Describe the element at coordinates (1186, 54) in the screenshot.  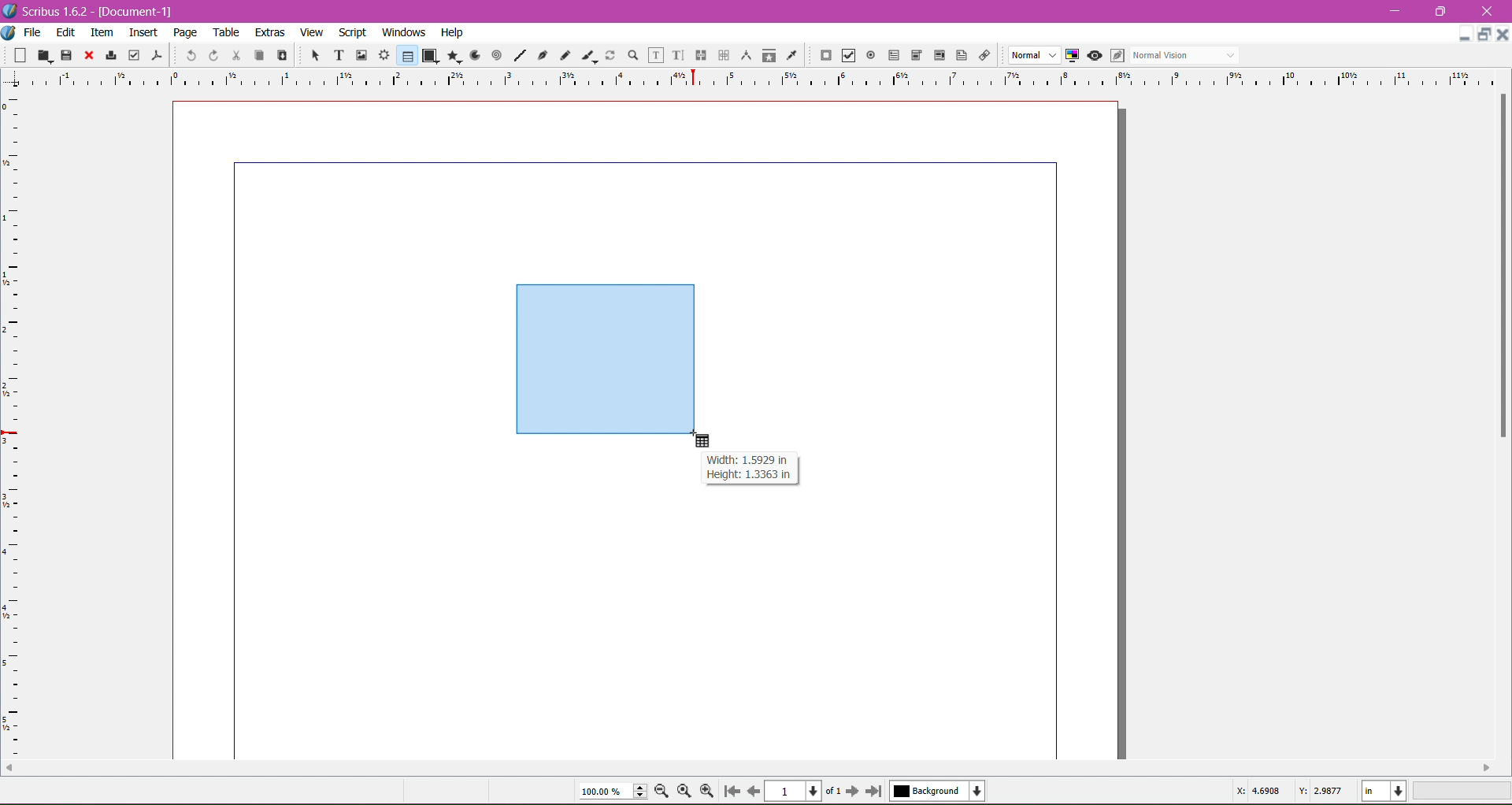
I see `Normal   Vision` at that location.